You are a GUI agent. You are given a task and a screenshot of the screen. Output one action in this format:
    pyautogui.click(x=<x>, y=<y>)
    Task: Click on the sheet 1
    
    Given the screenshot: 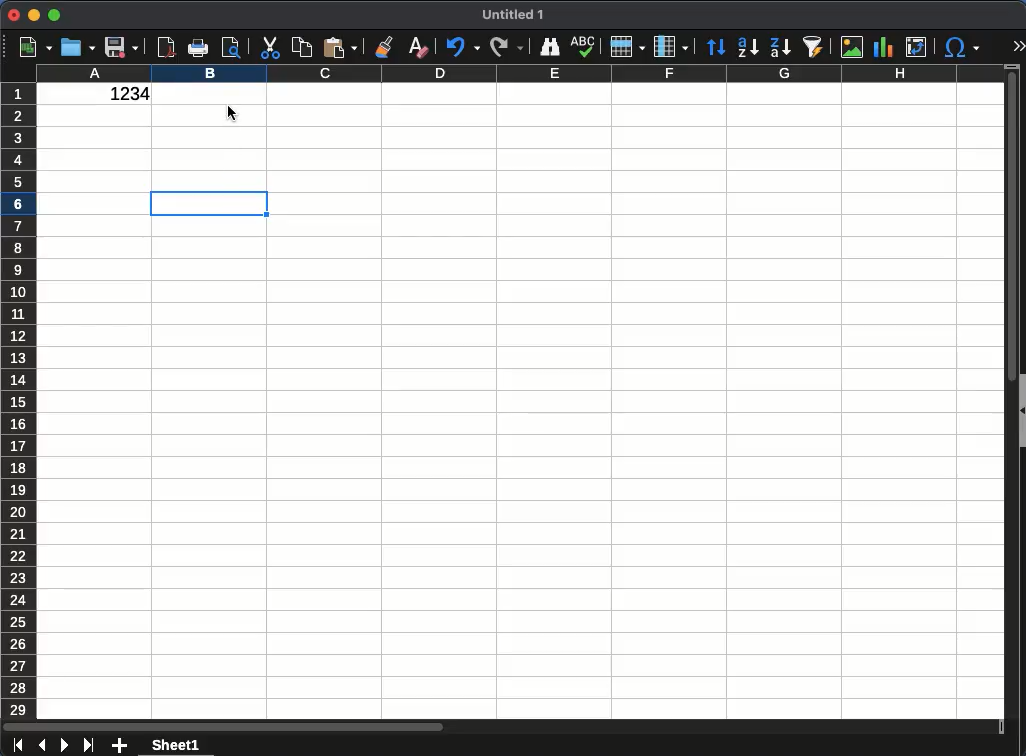 What is the action you would take?
    pyautogui.click(x=175, y=746)
    